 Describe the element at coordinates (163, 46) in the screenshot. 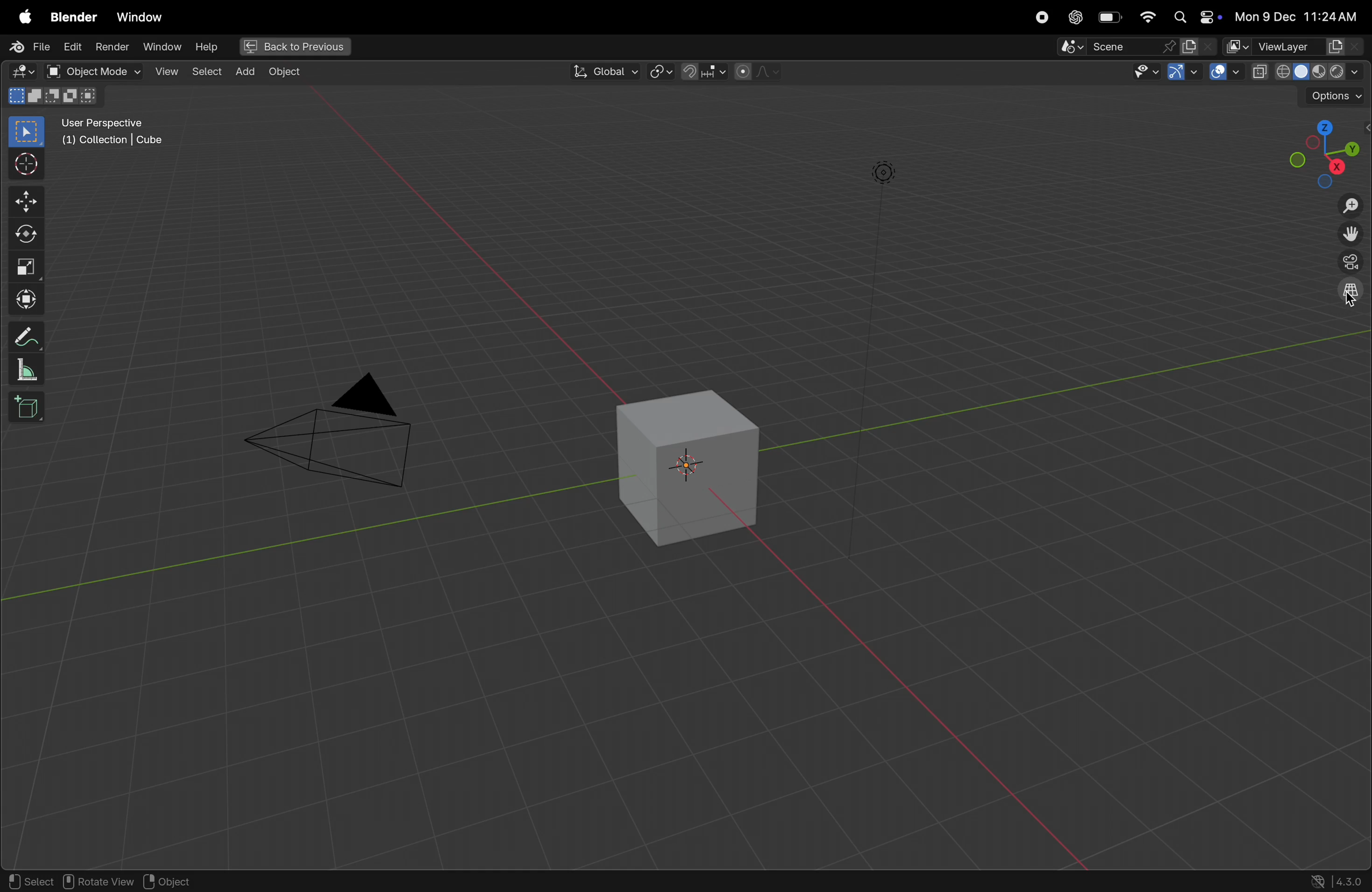

I see `window` at that location.